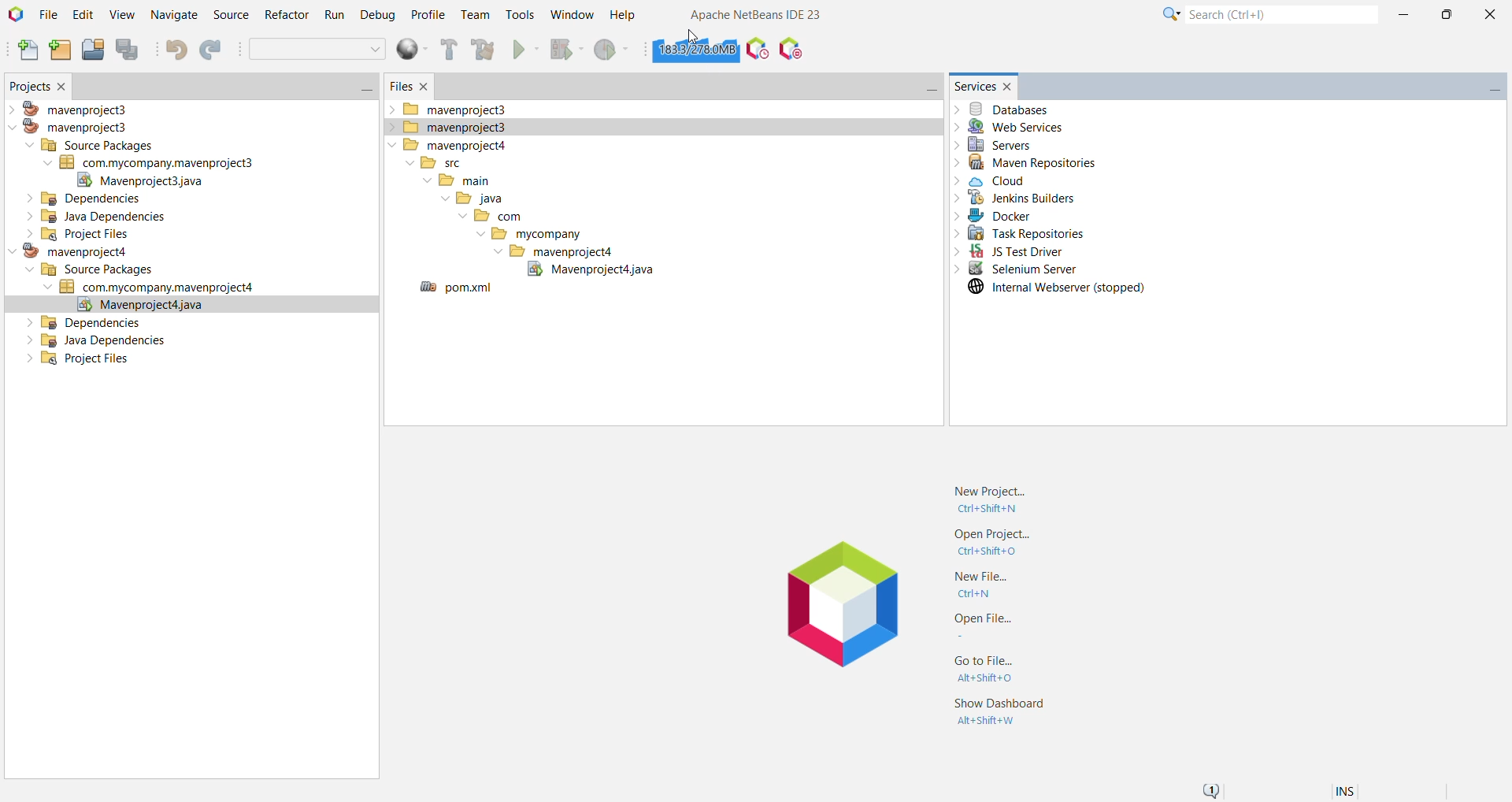 Image resolution: width=1512 pixels, height=802 pixels. I want to click on Files window, so click(399, 87).